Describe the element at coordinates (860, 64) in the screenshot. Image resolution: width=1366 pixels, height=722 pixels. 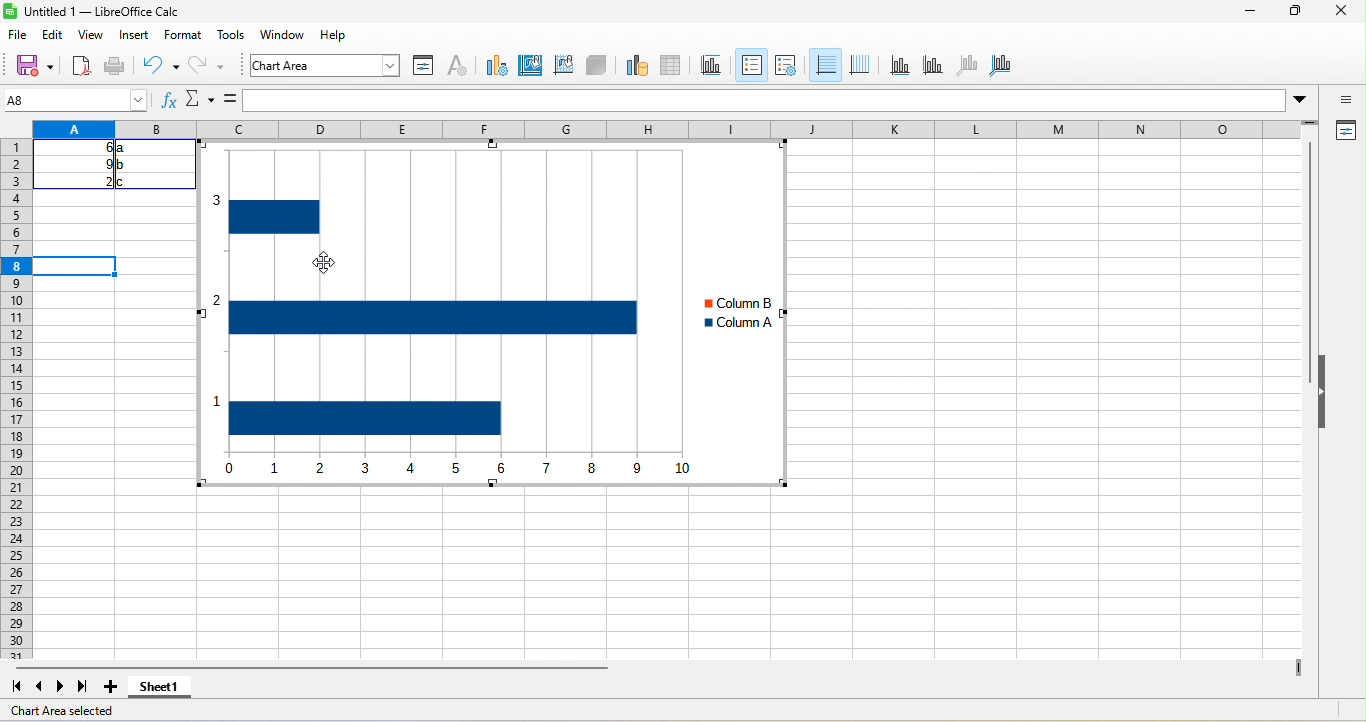
I see `legend` at that location.